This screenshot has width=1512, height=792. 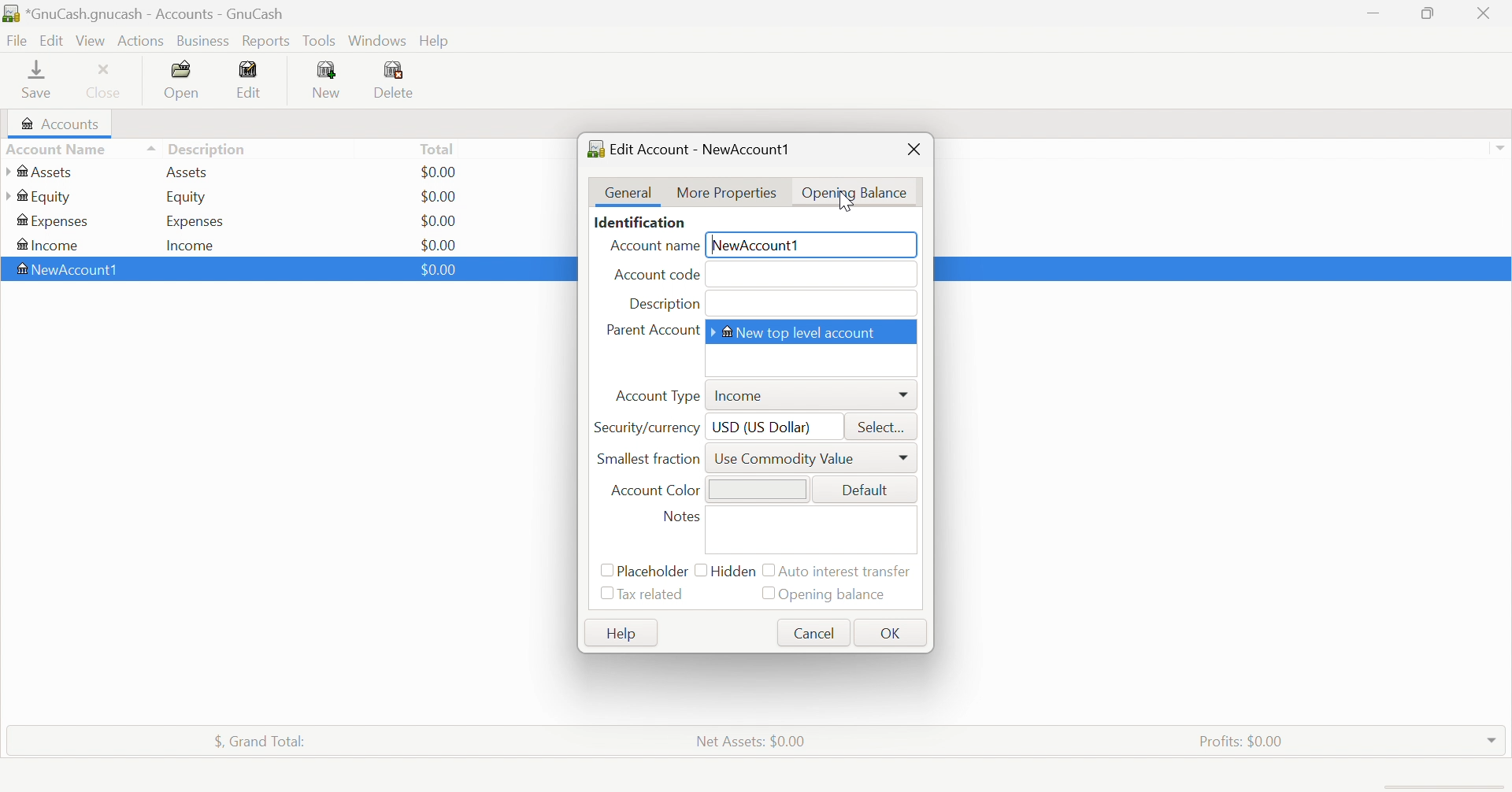 I want to click on Edit, so click(x=254, y=77).